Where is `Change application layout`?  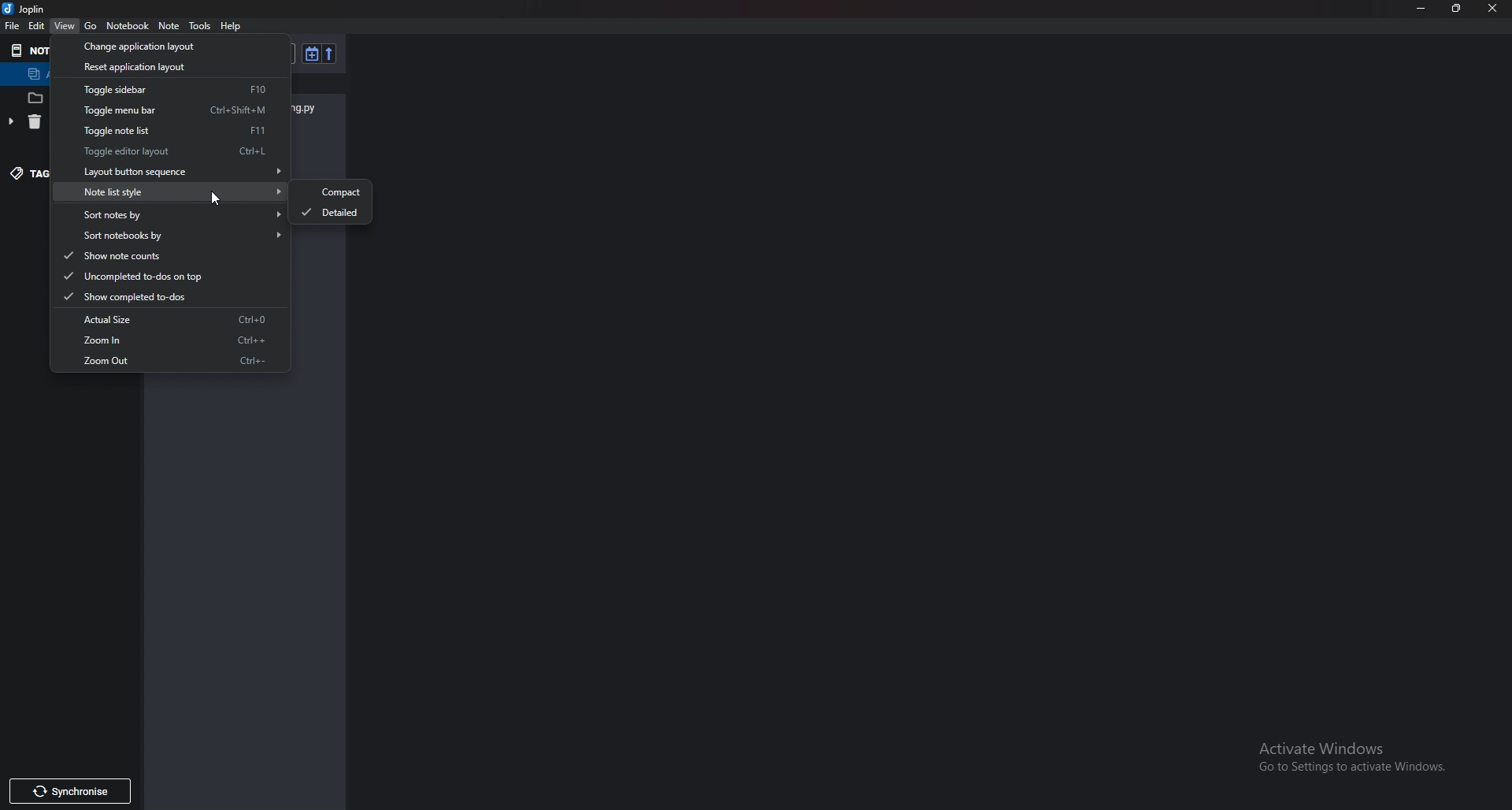 Change application layout is located at coordinates (165, 46).